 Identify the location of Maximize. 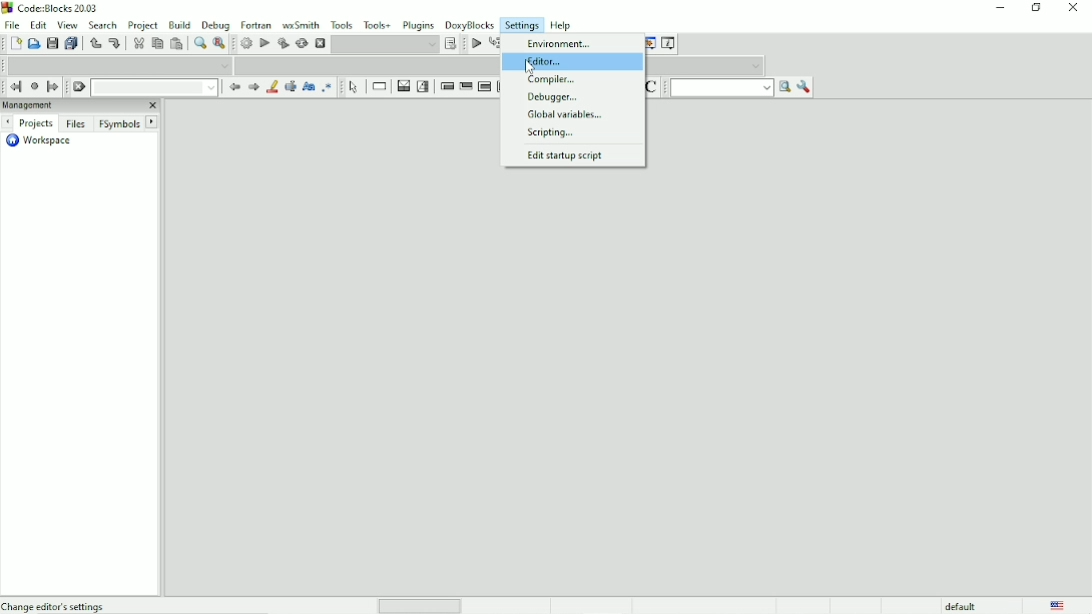
(1035, 8).